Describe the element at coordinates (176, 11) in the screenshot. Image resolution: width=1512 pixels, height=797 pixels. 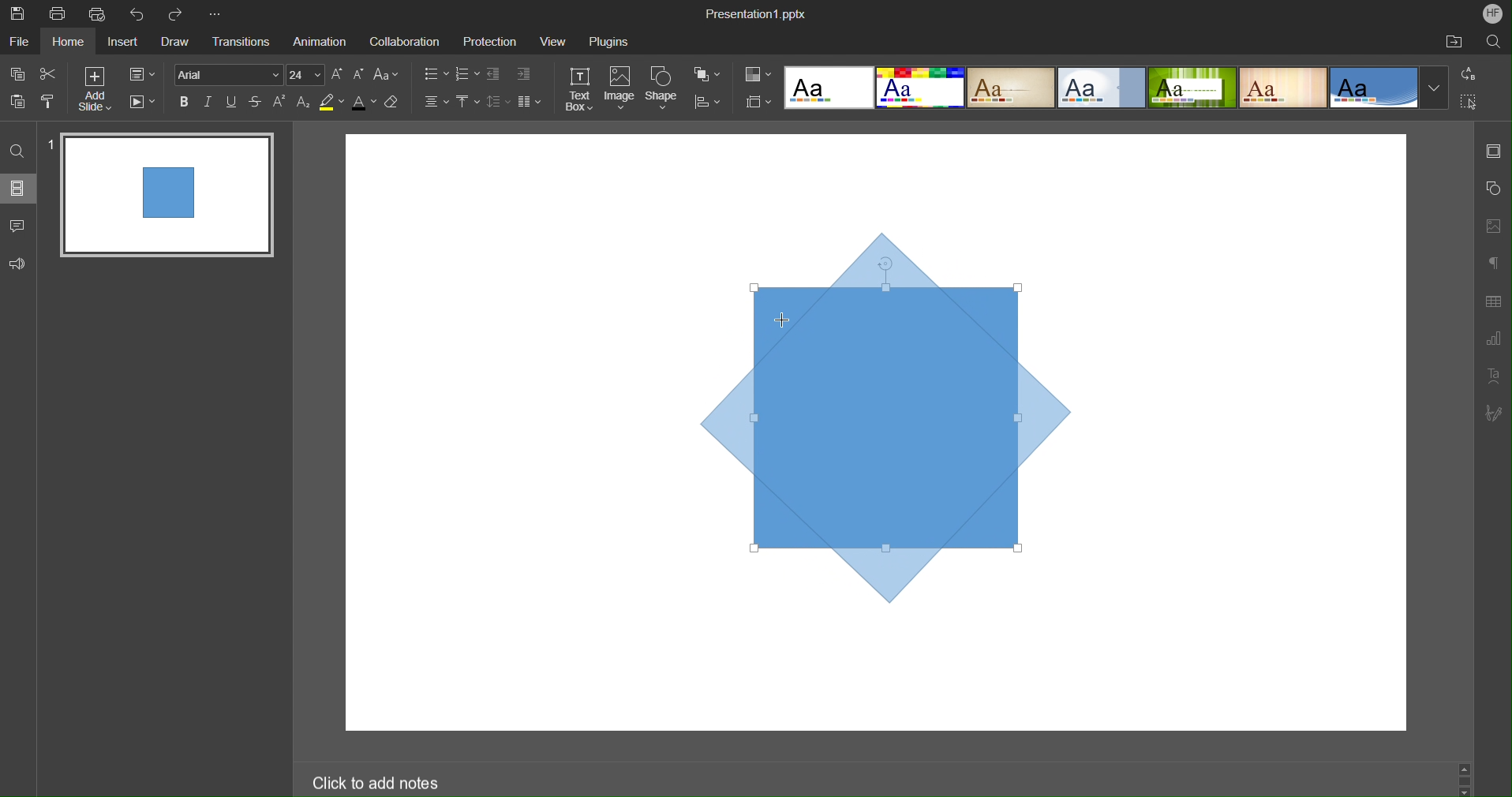
I see `Redo` at that location.